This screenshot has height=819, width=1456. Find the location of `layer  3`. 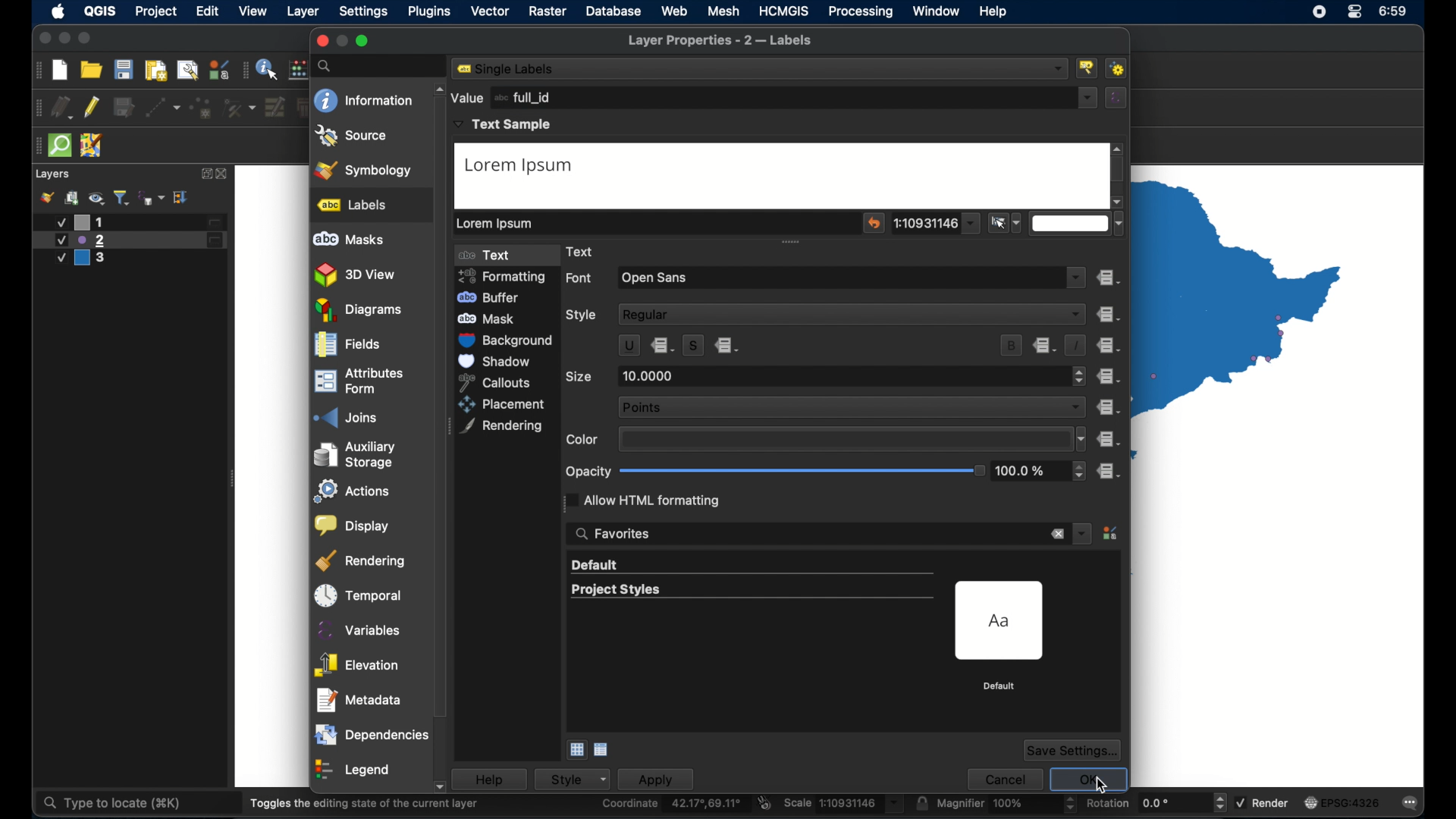

layer  3 is located at coordinates (89, 259).